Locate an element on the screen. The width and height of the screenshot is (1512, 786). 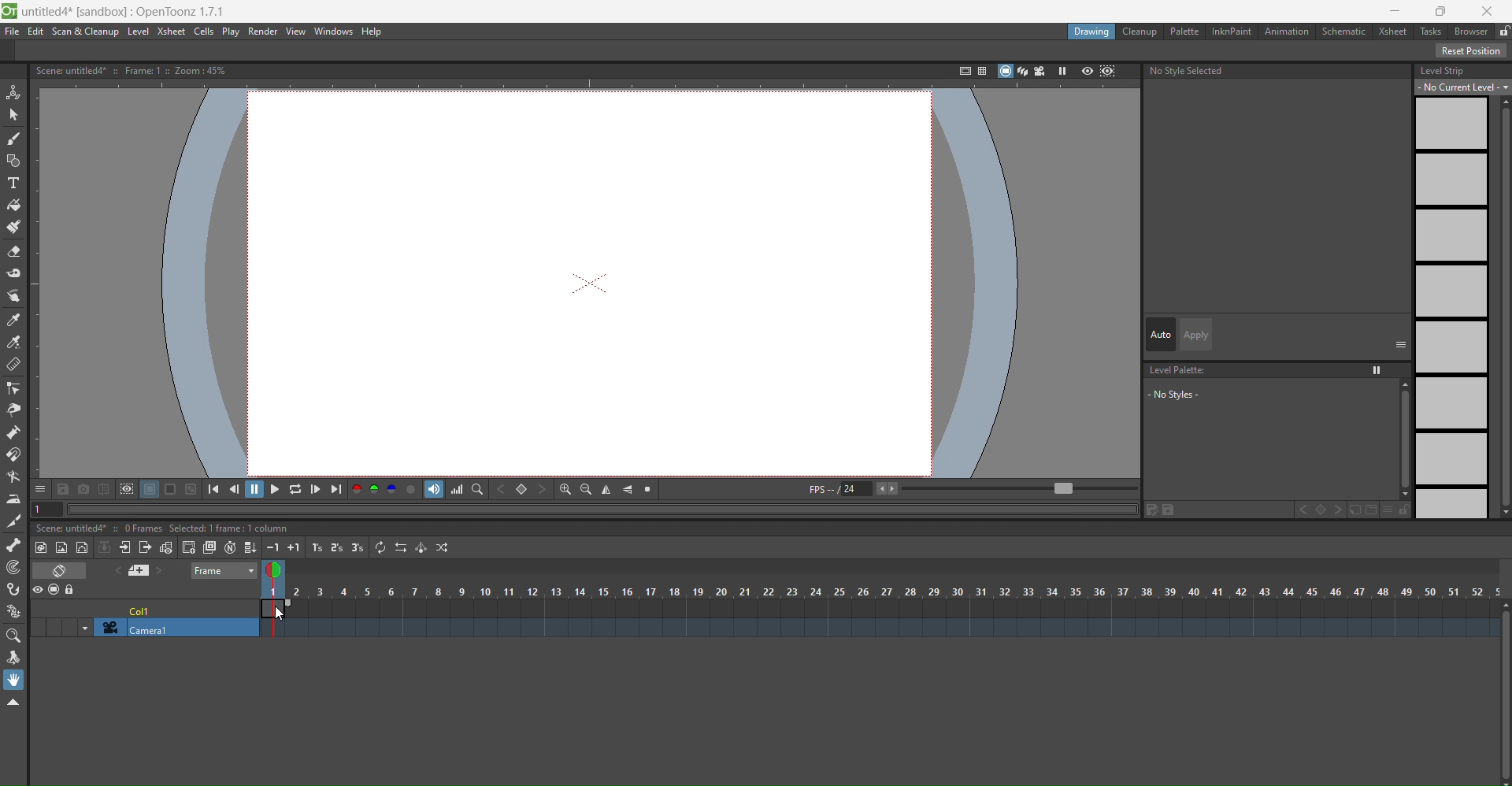
brush tool is located at coordinates (13, 139).